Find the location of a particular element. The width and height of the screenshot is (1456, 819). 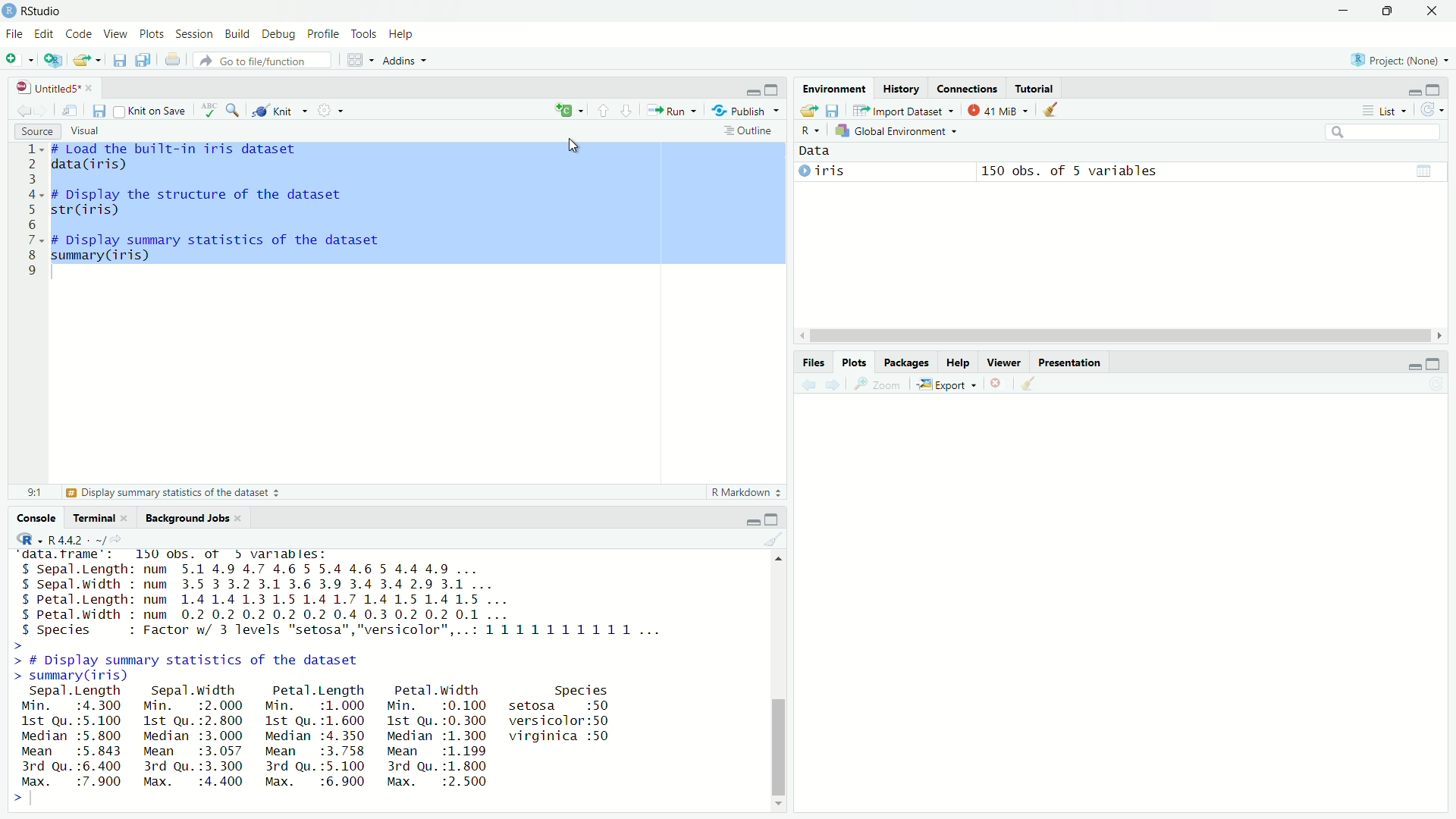

Scroll Up is located at coordinates (781, 557).